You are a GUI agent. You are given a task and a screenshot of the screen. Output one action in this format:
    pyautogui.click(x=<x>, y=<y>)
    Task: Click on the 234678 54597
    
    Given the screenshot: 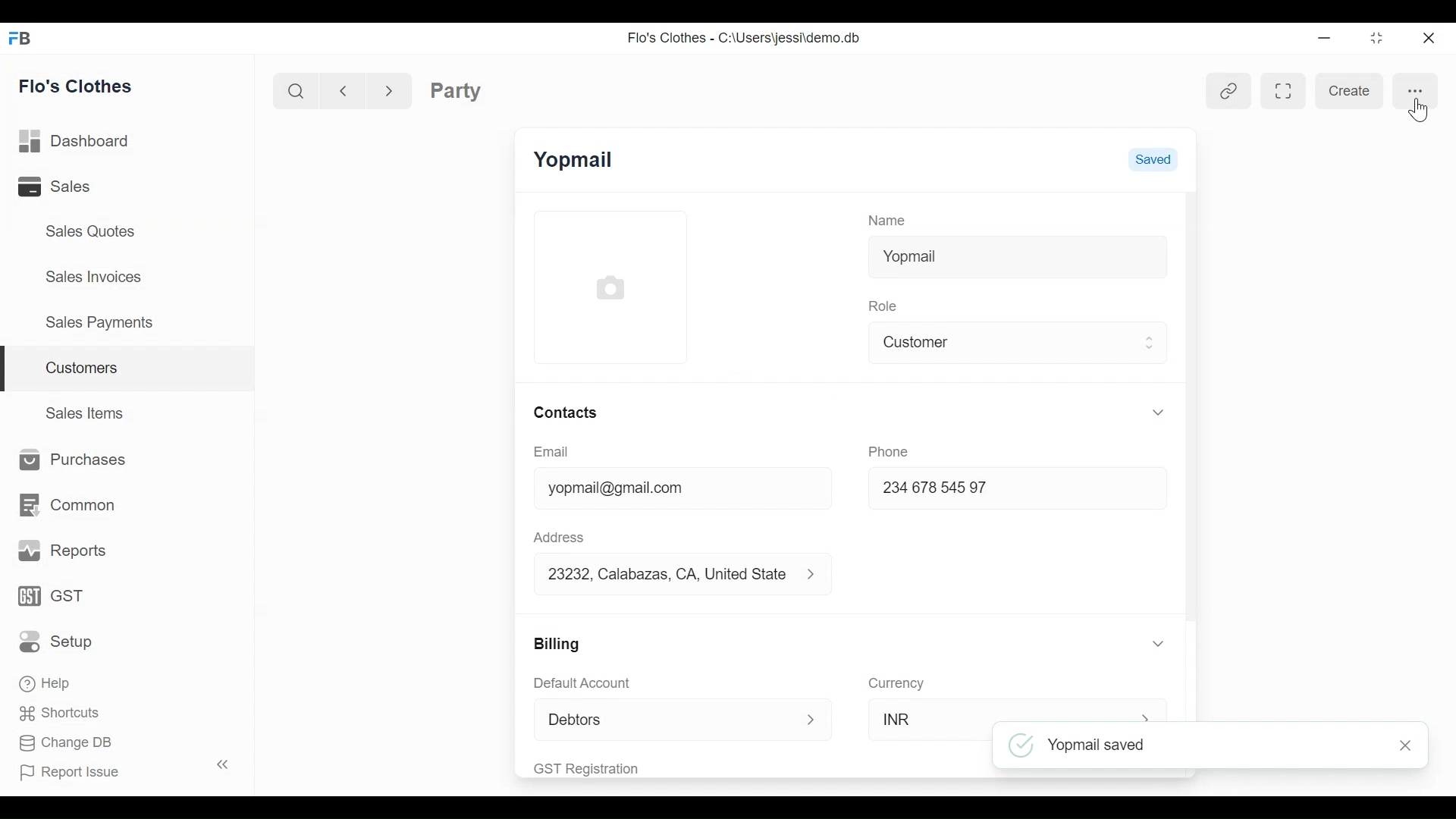 What is the action you would take?
    pyautogui.click(x=980, y=490)
    